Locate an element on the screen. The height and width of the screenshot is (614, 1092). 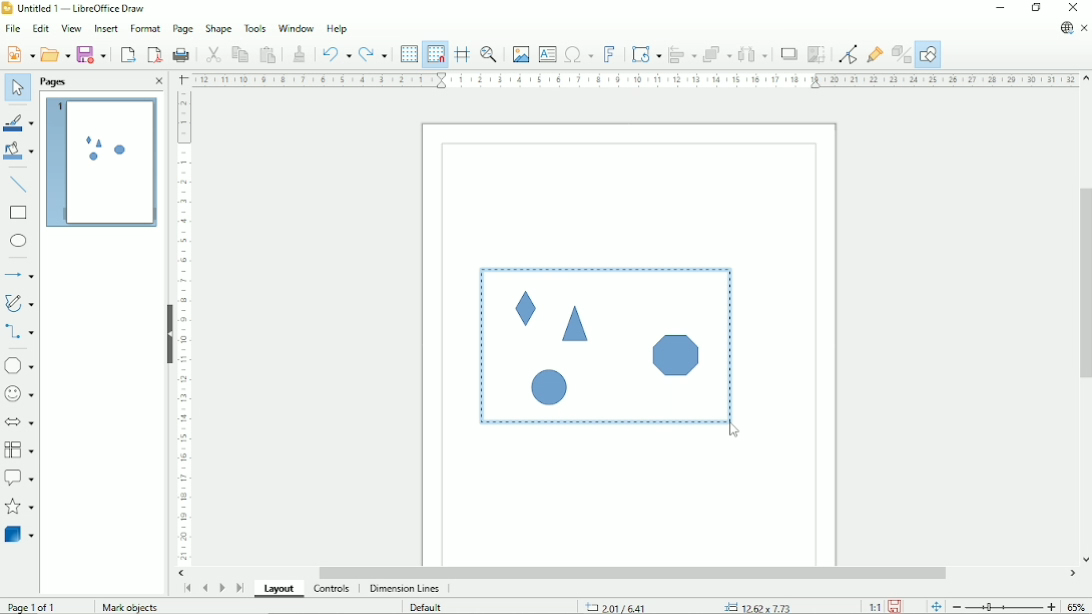
Help is located at coordinates (337, 29).